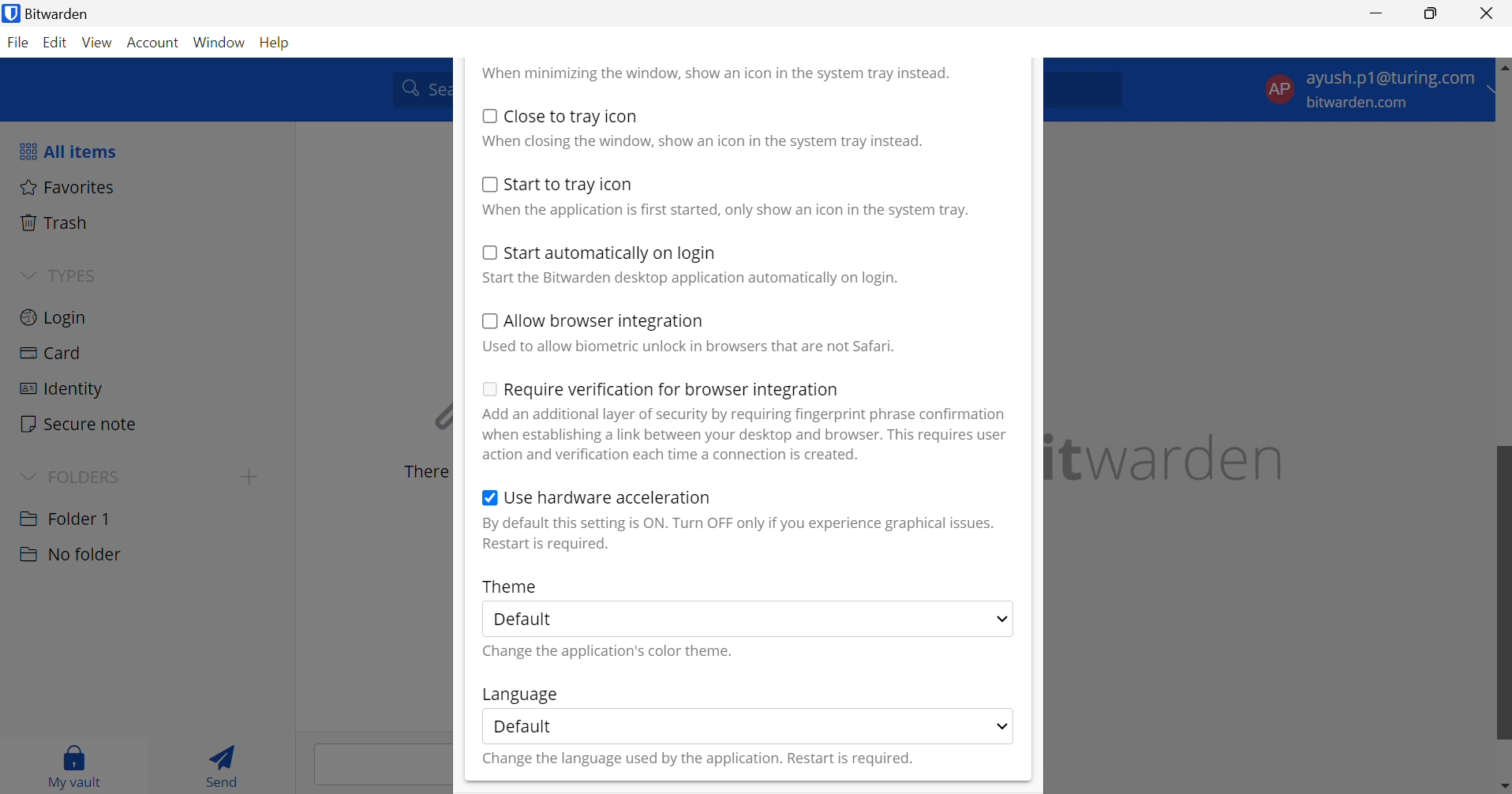  Describe the element at coordinates (221, 42) in the screenshot. I see `Window` at that location.